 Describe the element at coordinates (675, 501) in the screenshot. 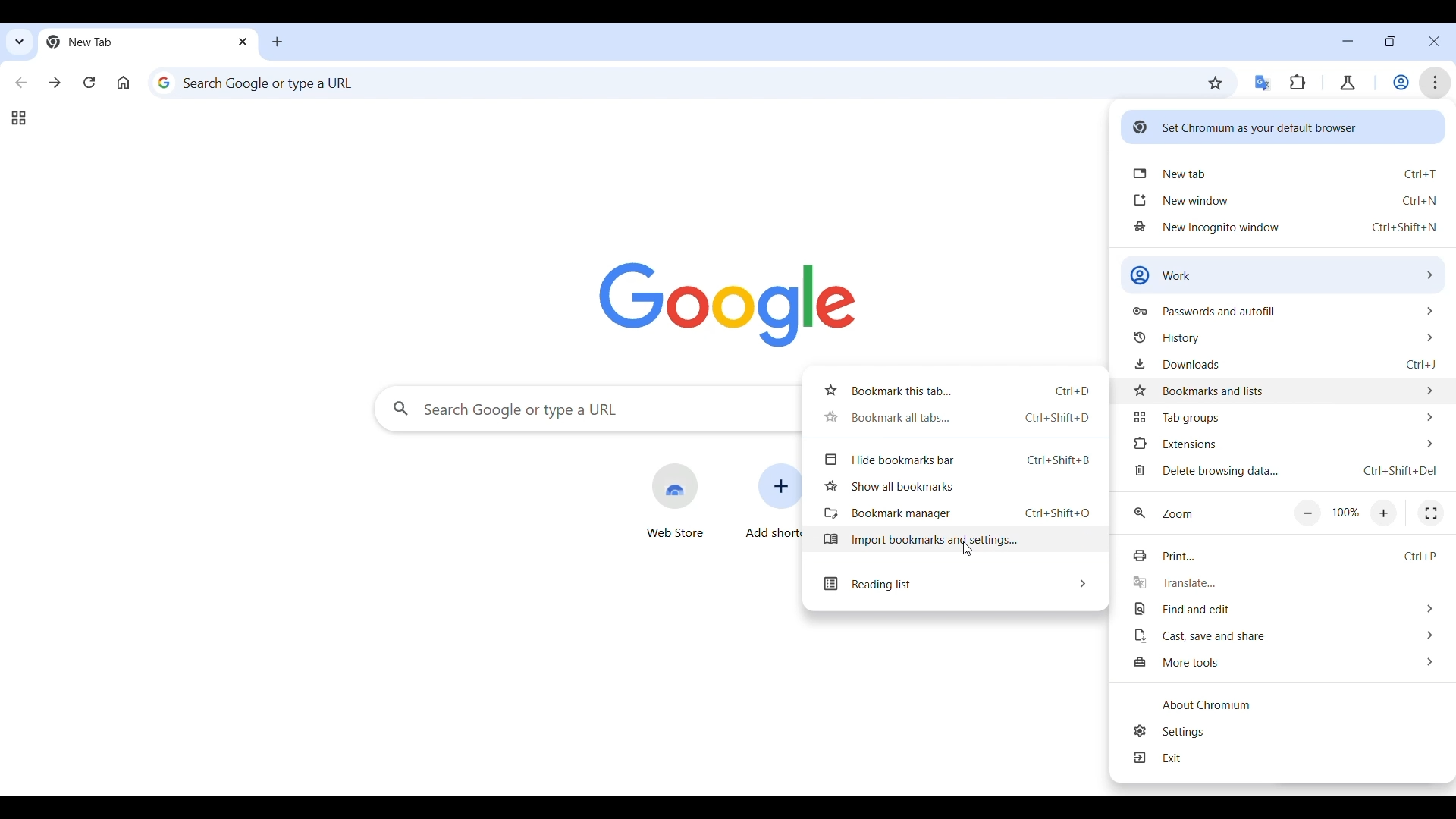

I see `Web store` at that location.